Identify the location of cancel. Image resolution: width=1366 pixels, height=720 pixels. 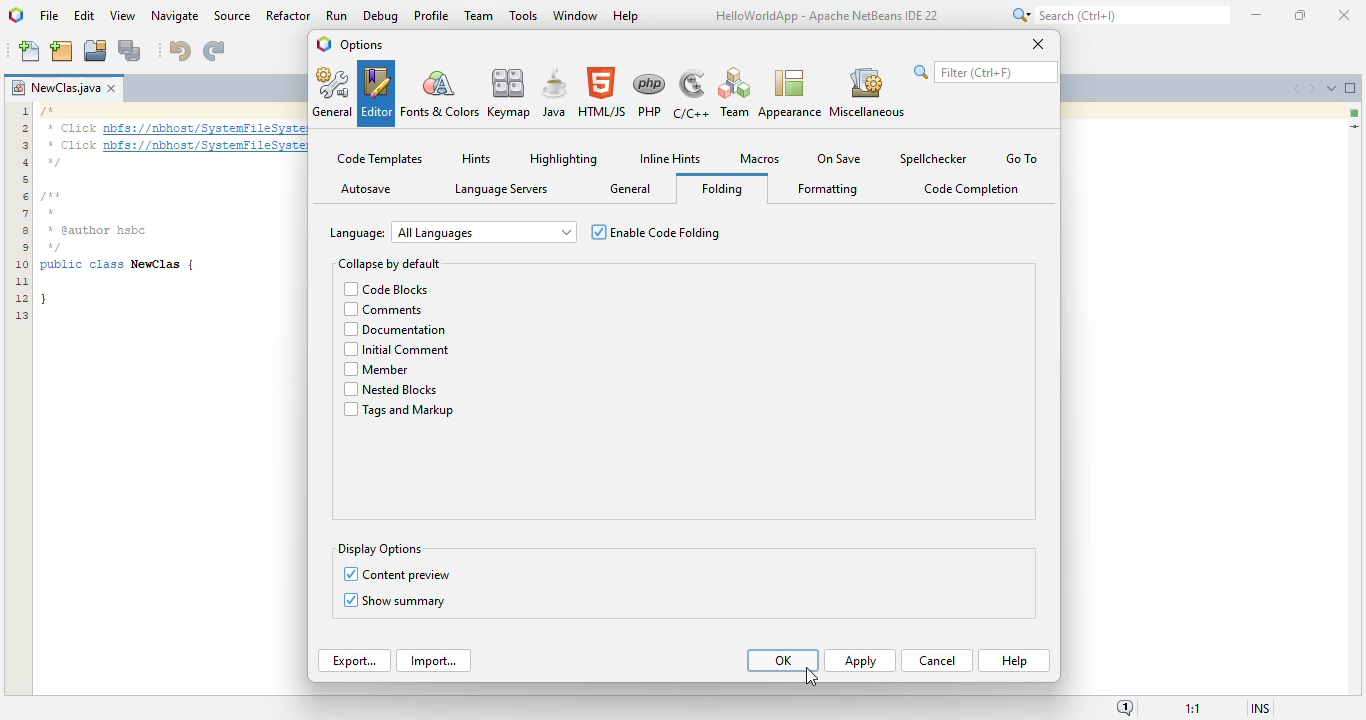
(937, 661).